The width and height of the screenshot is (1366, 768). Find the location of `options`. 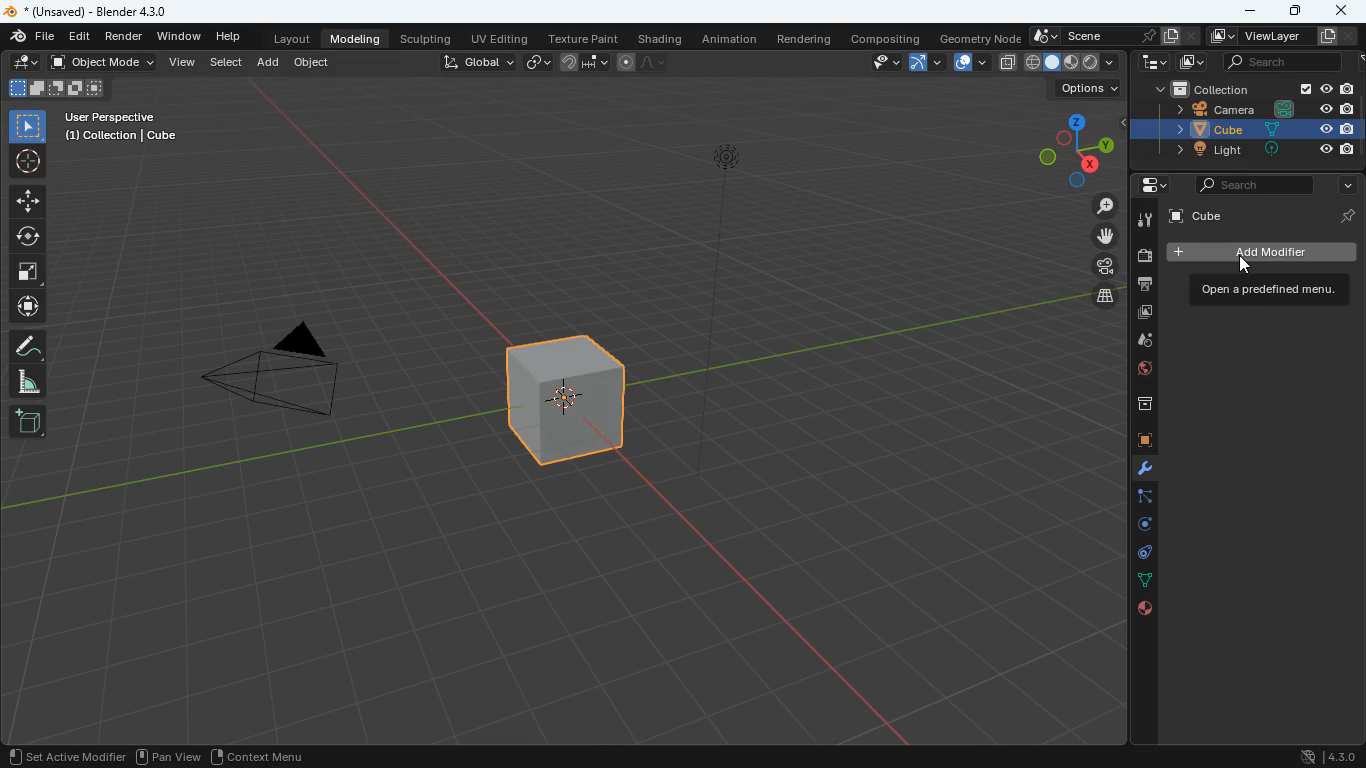

options is located at coordinates (1090, 88).